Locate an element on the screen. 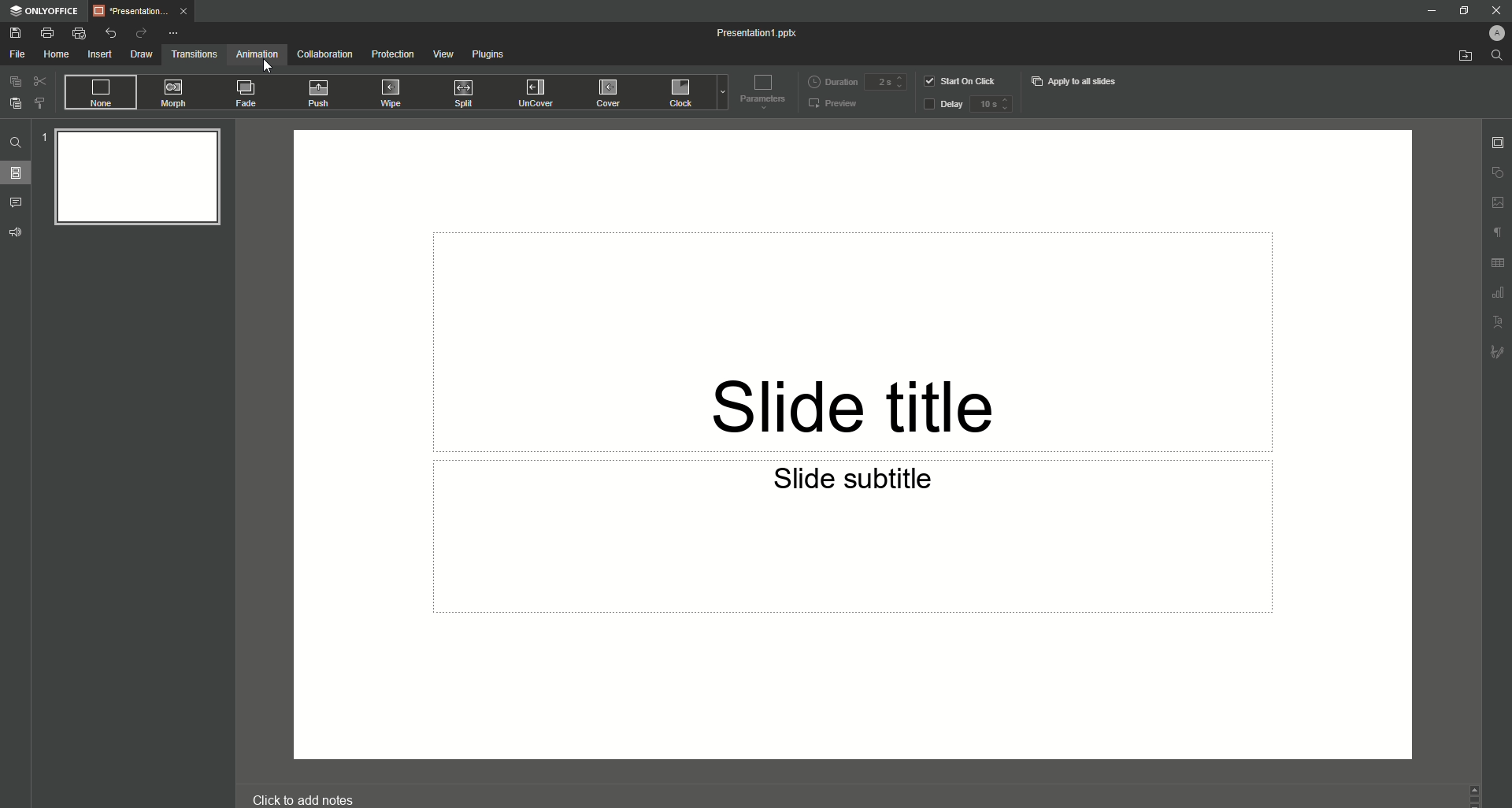  Preview is located at coordinates (836, 103).